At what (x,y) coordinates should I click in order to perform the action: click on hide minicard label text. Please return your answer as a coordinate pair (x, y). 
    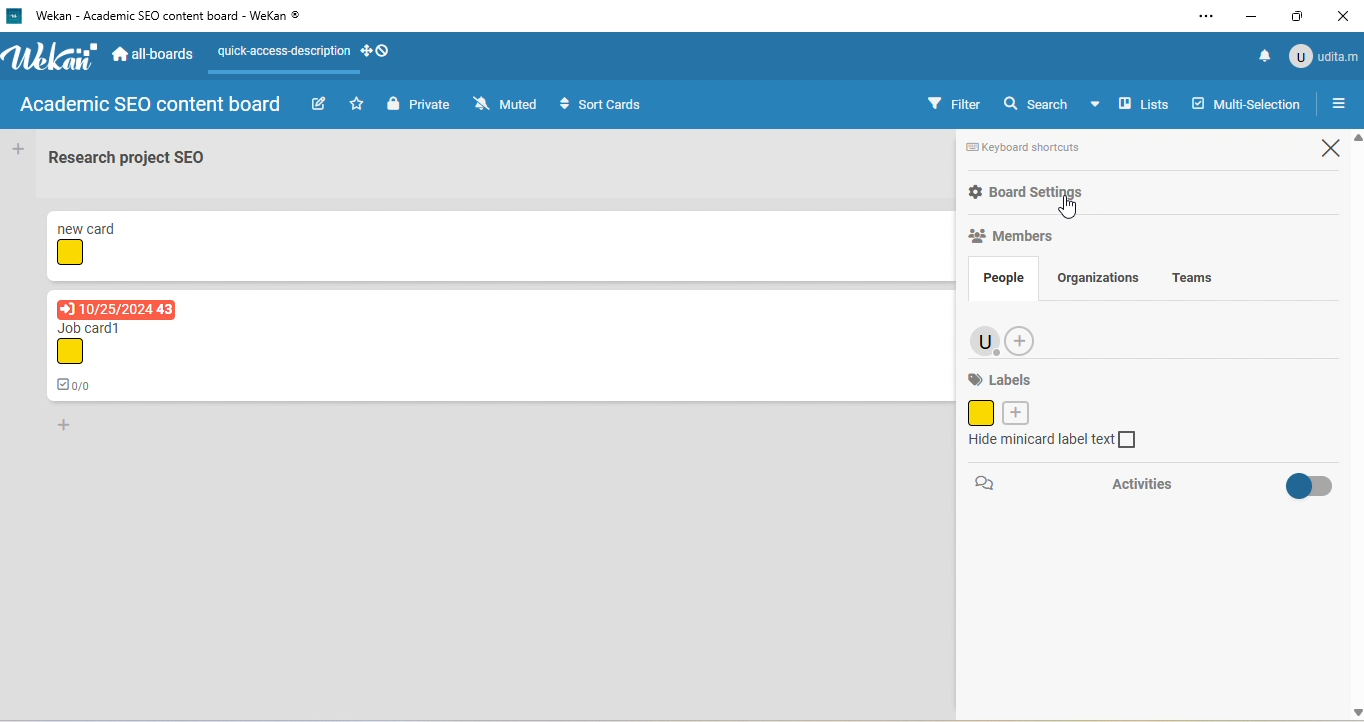
    Looking at the image, I should click on (1058, 442).